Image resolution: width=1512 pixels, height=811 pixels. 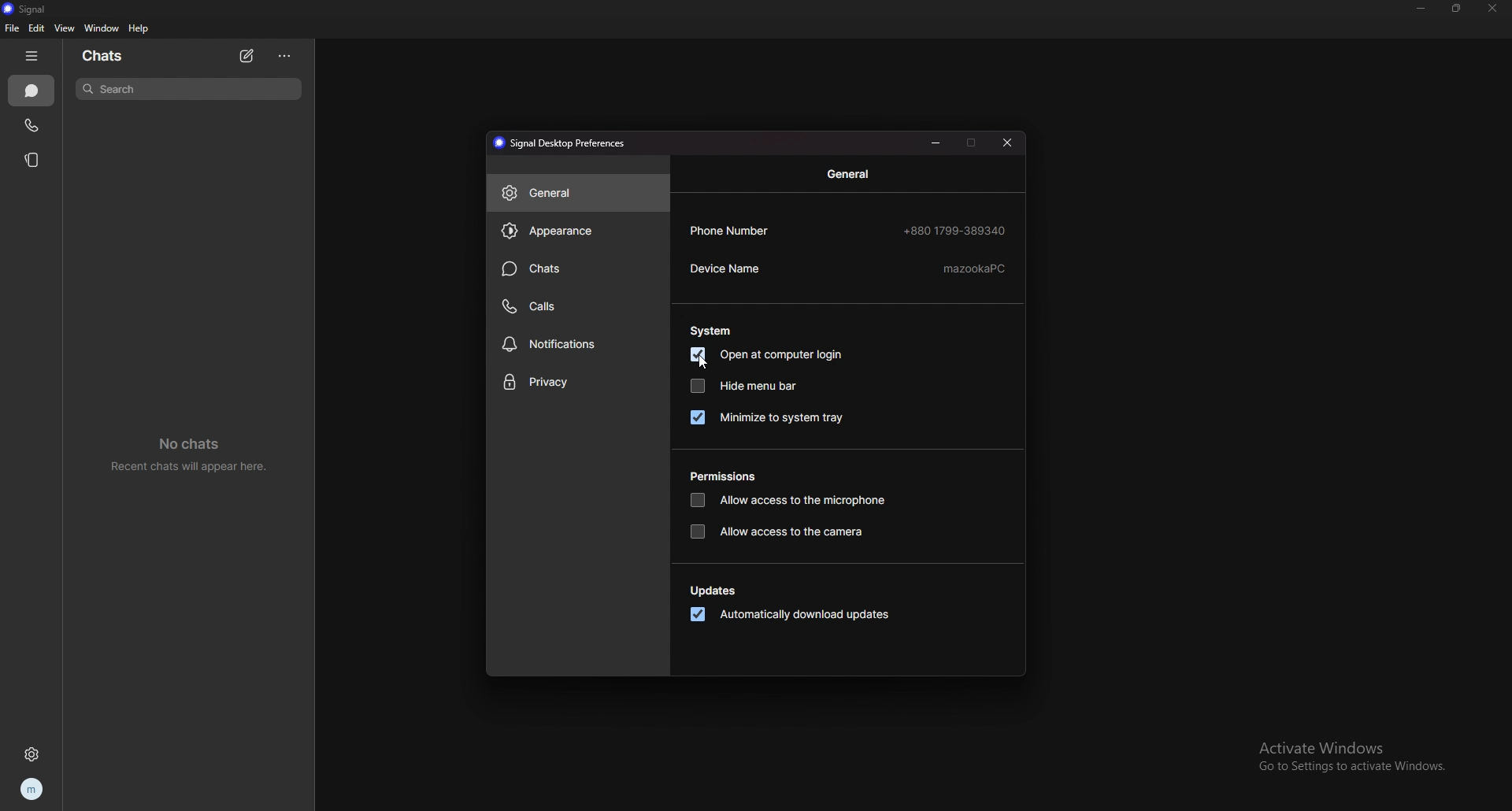 What do you see at coordinates (853, 174) in the screenshot?
I see `general` at bounding box center [853, 174].